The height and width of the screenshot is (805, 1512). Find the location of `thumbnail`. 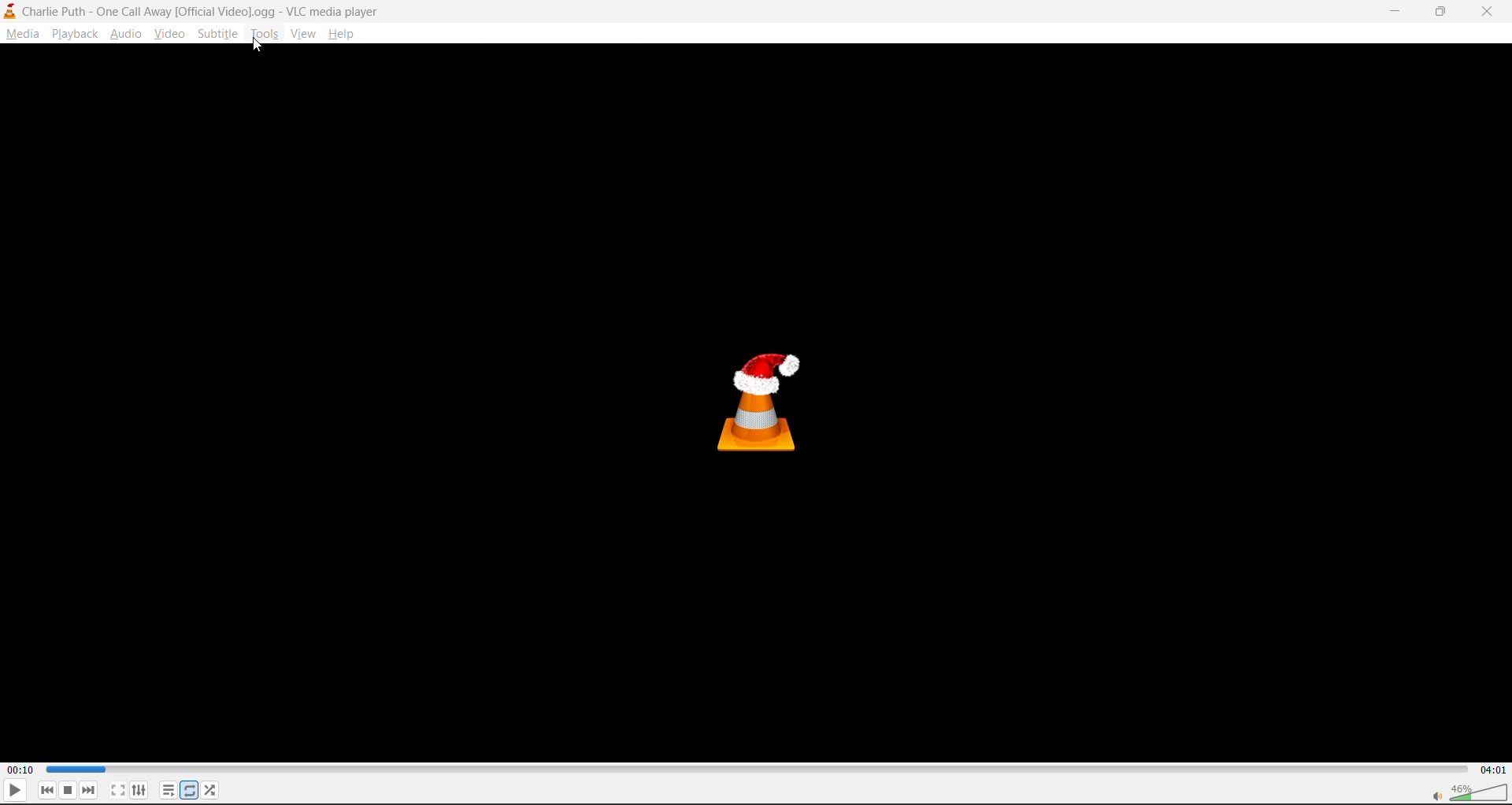

thumbnail is located at coordinates (759, 398).